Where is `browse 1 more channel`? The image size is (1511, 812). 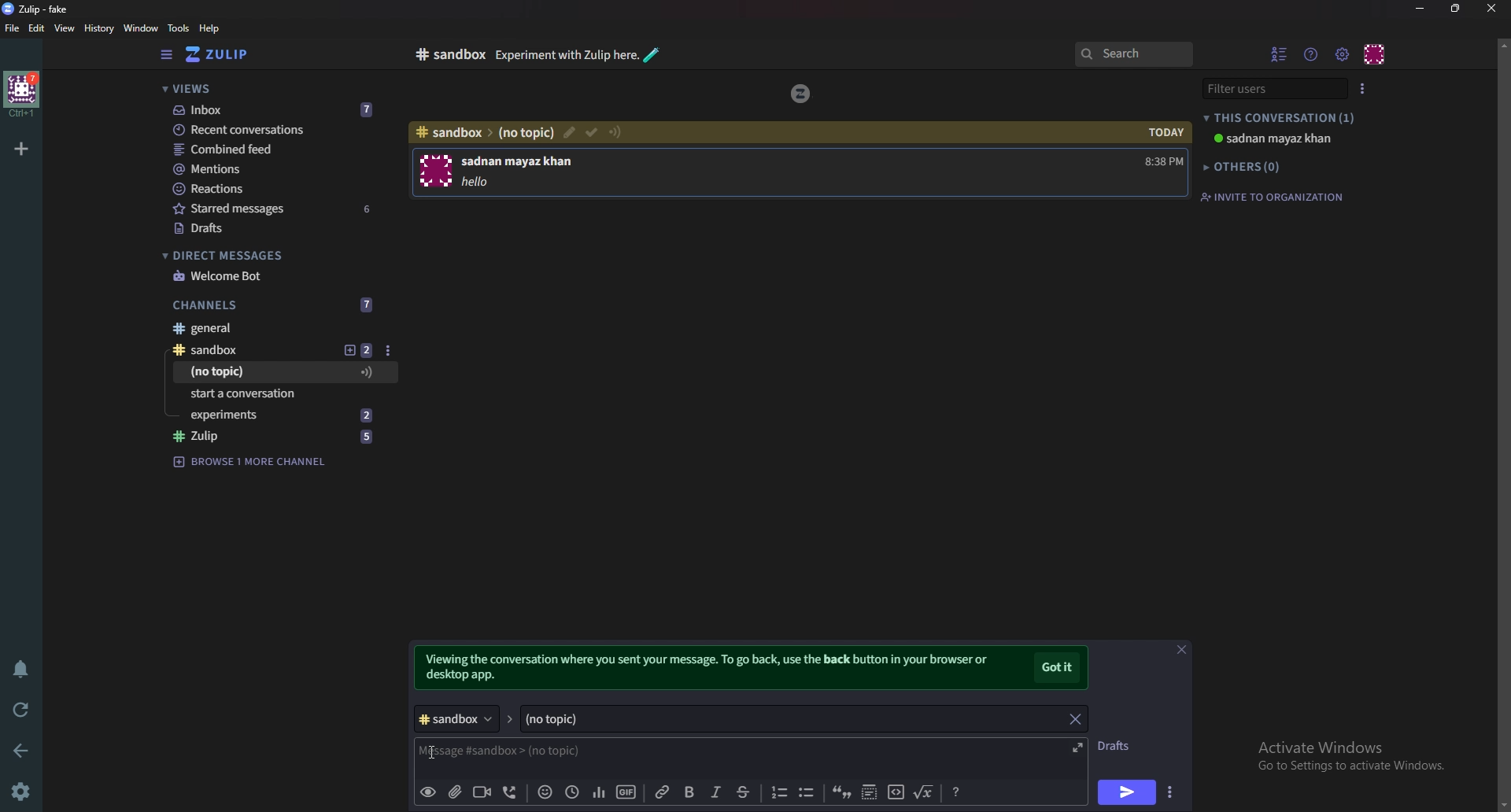
browse 1 more channel is located at coordinates (252, 463).